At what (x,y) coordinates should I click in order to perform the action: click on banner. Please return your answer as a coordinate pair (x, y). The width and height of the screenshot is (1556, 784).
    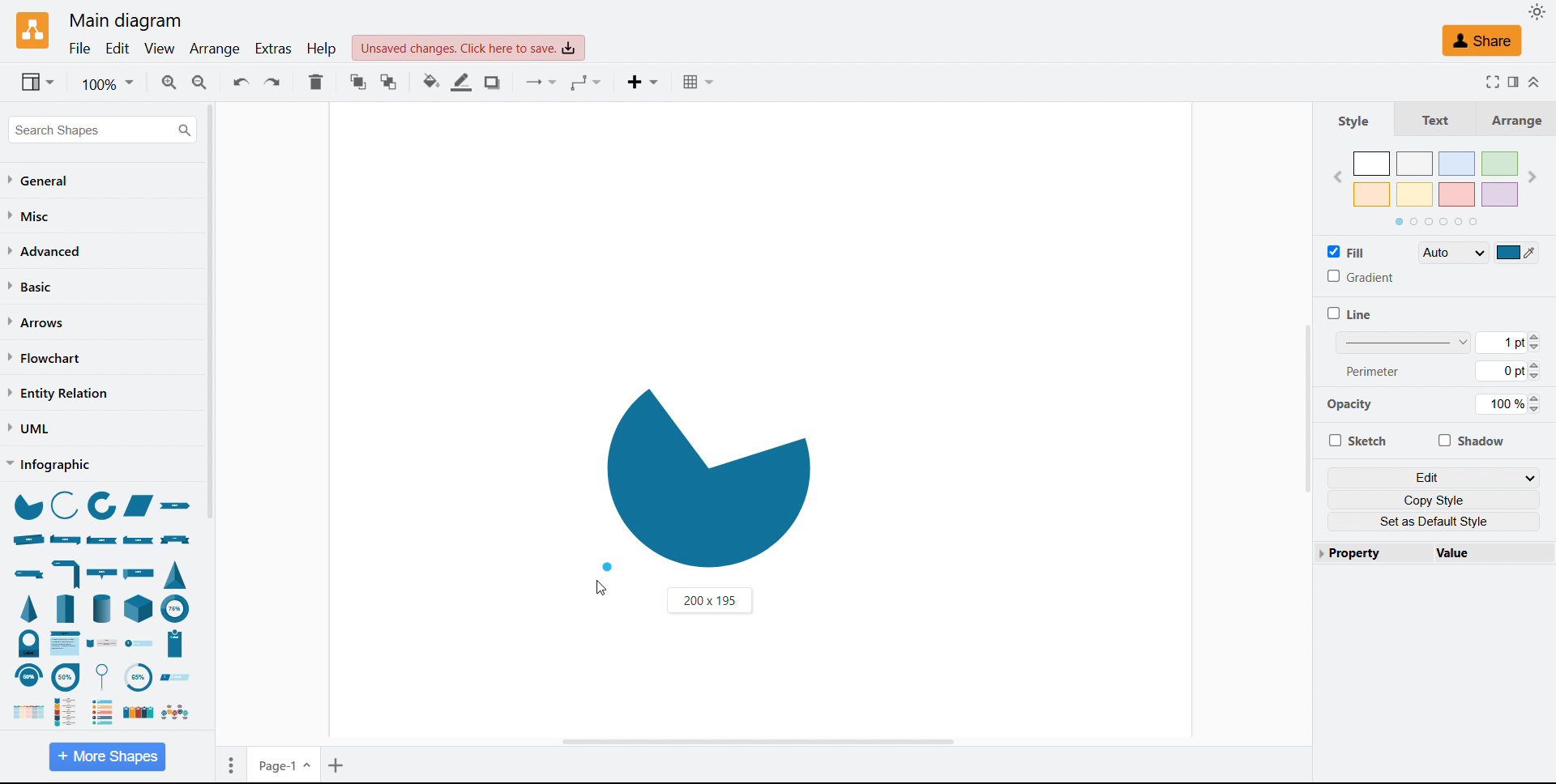
    Looking at the image, I should click on (176, 540).